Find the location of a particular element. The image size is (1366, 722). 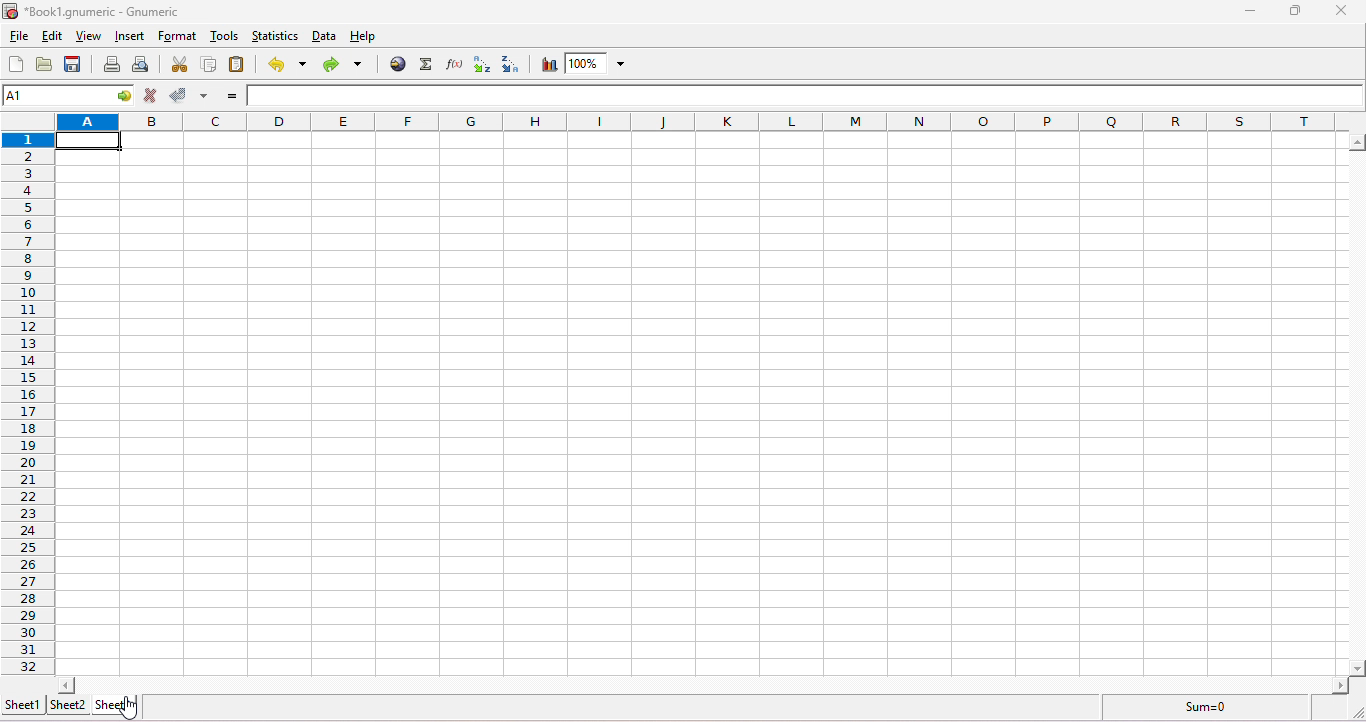

enter formula is located at coordinates (228, 95).